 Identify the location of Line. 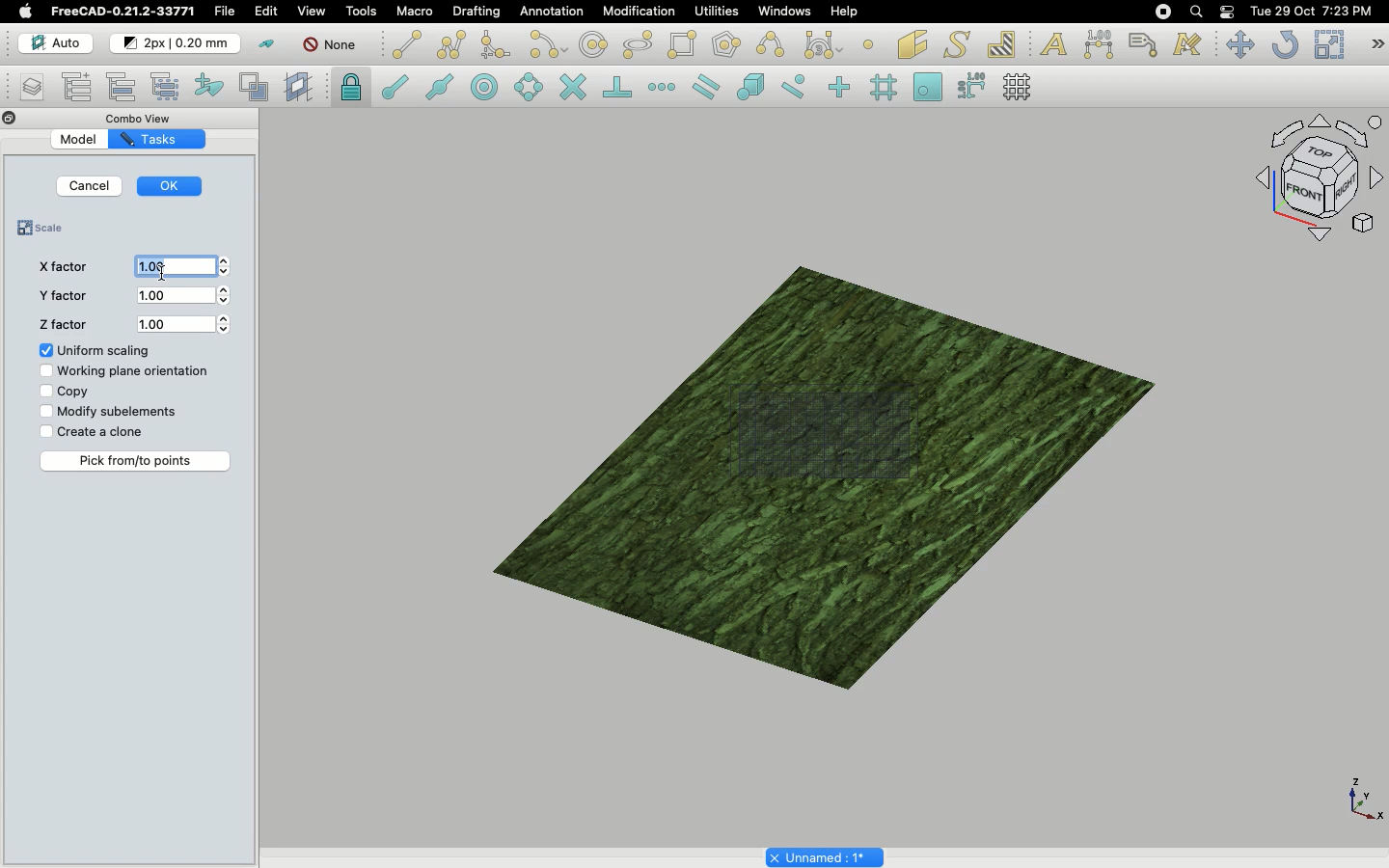
(404, 44).